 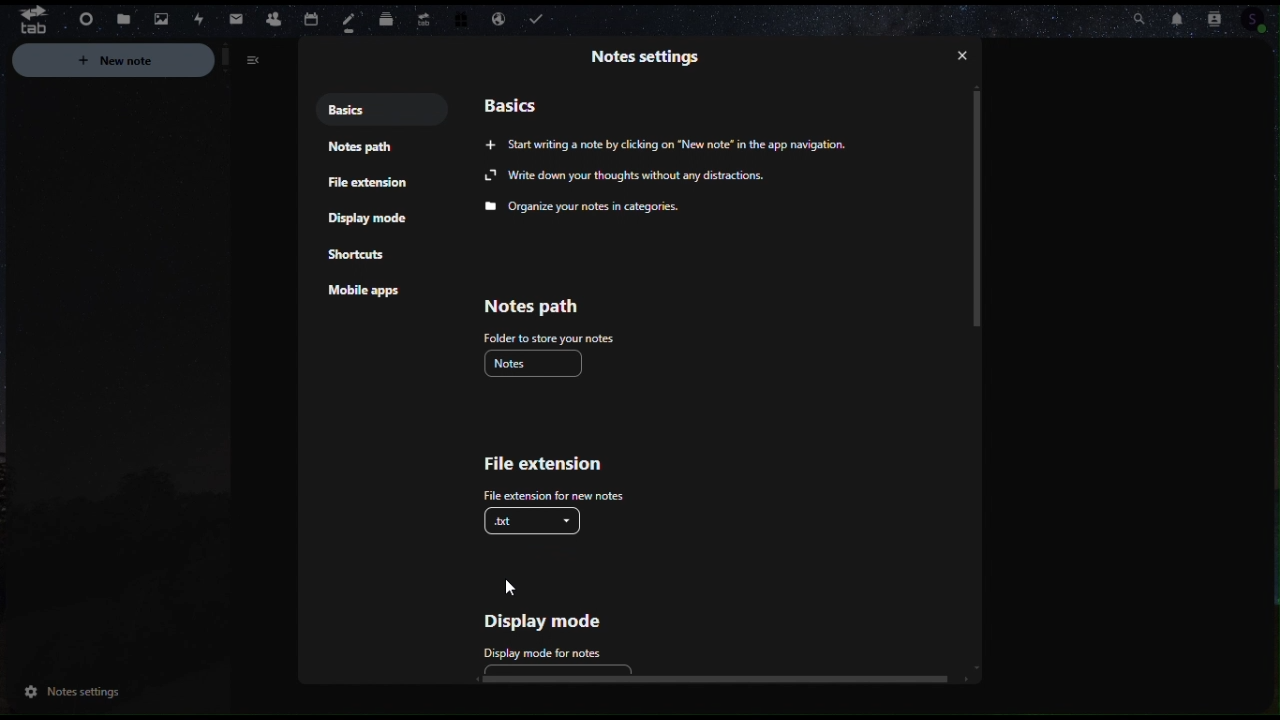 What do you see at coordinates (1134, 15) in the screenshot?
I see `Search bar` at bounding box center [1134, 15].